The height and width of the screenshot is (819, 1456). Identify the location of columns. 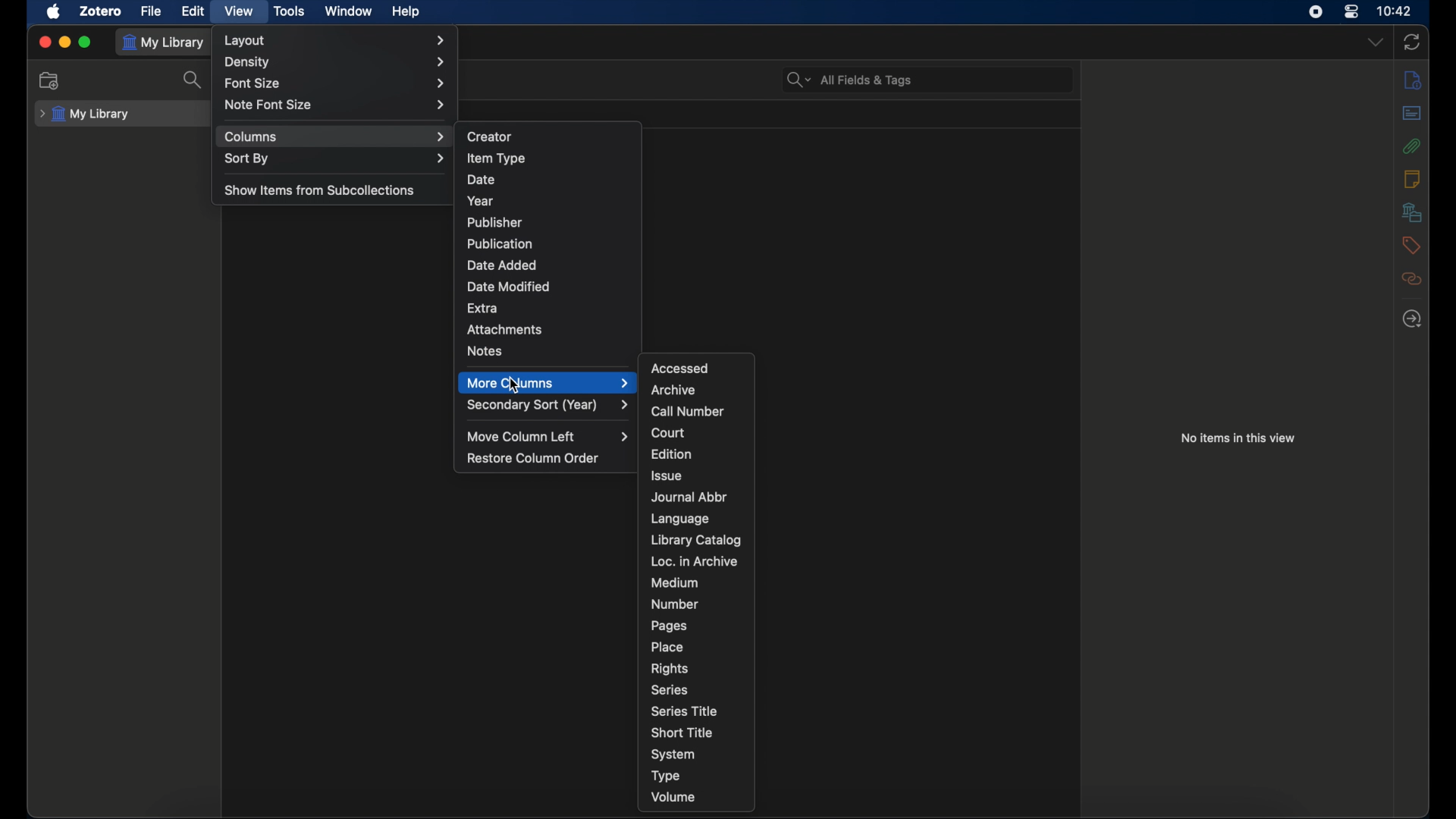
(335, 136).